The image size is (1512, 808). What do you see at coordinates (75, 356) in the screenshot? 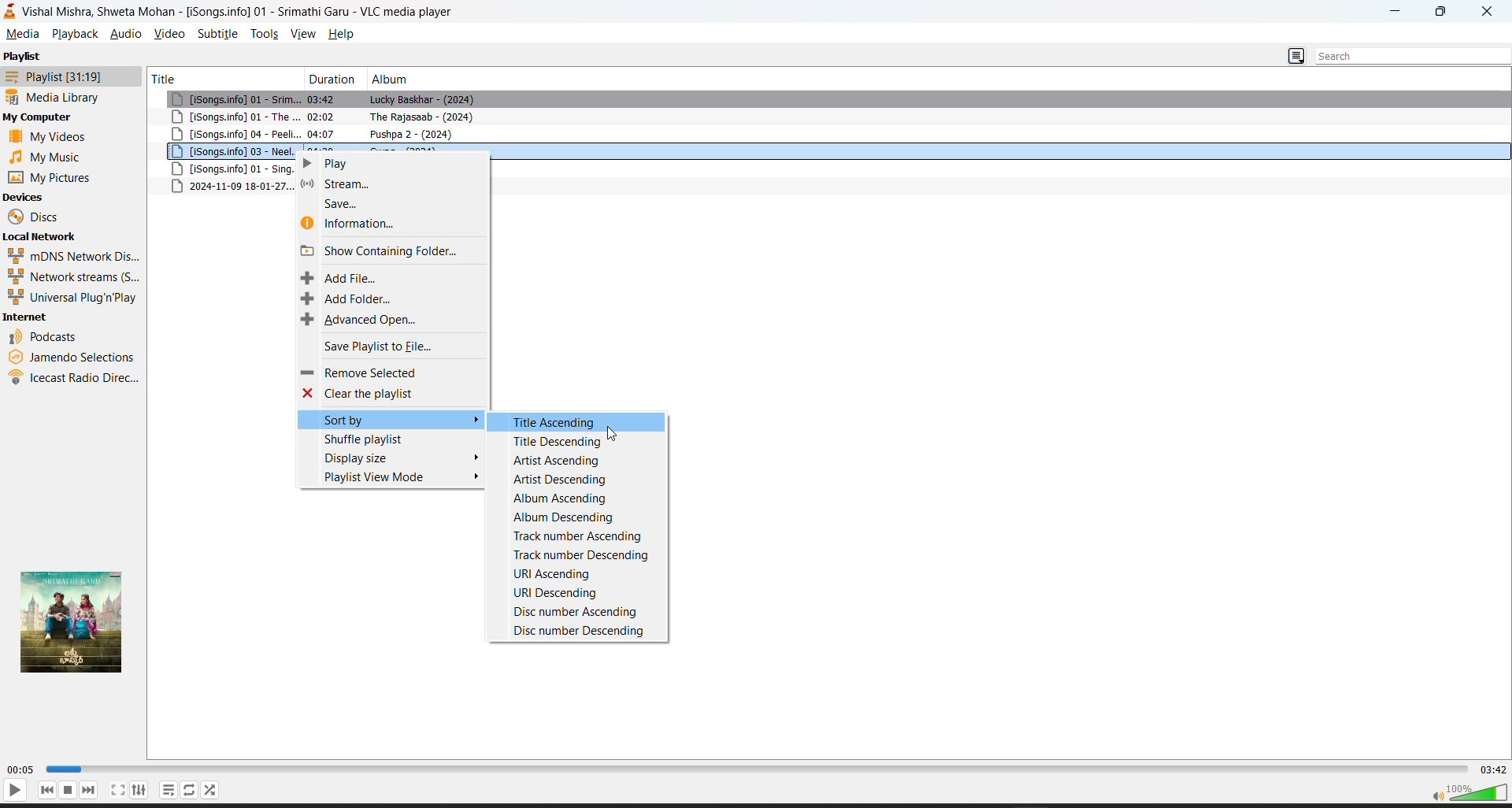
I see `jamendo selection` at bounding box center [75, 356].